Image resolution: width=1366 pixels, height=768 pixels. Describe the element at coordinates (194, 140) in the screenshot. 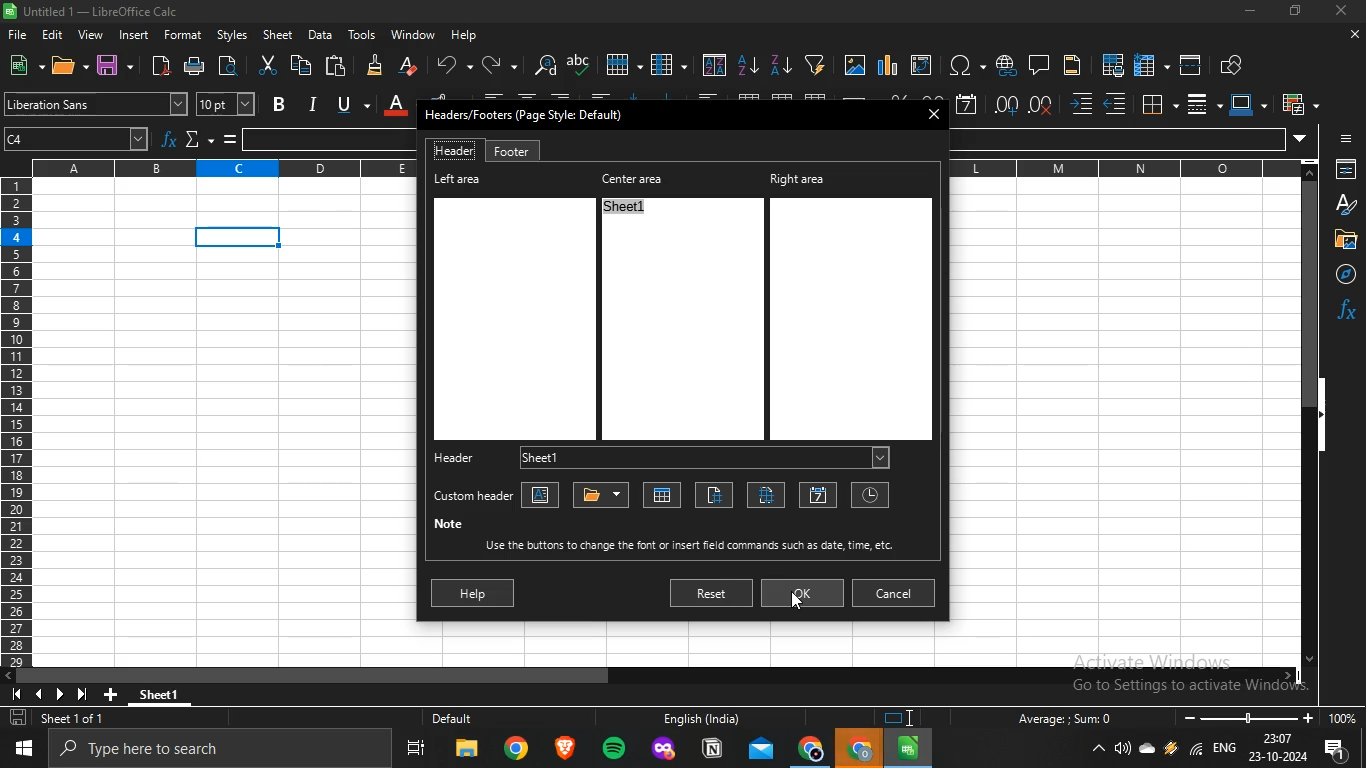

I see `select function` at that location.